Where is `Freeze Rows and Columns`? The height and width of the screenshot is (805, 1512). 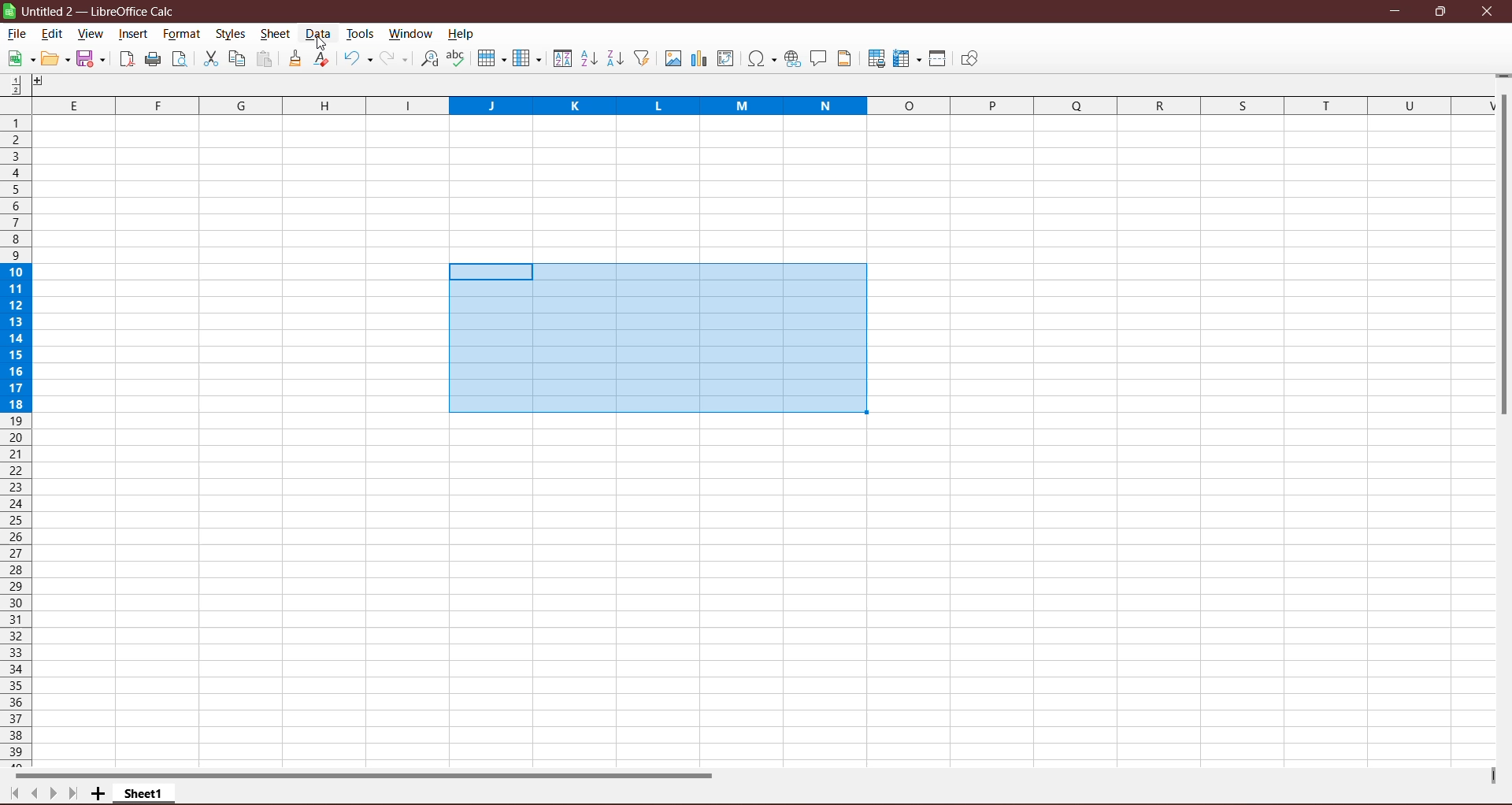 Freeze Rows and Columns is located at coordinates (908, 59).